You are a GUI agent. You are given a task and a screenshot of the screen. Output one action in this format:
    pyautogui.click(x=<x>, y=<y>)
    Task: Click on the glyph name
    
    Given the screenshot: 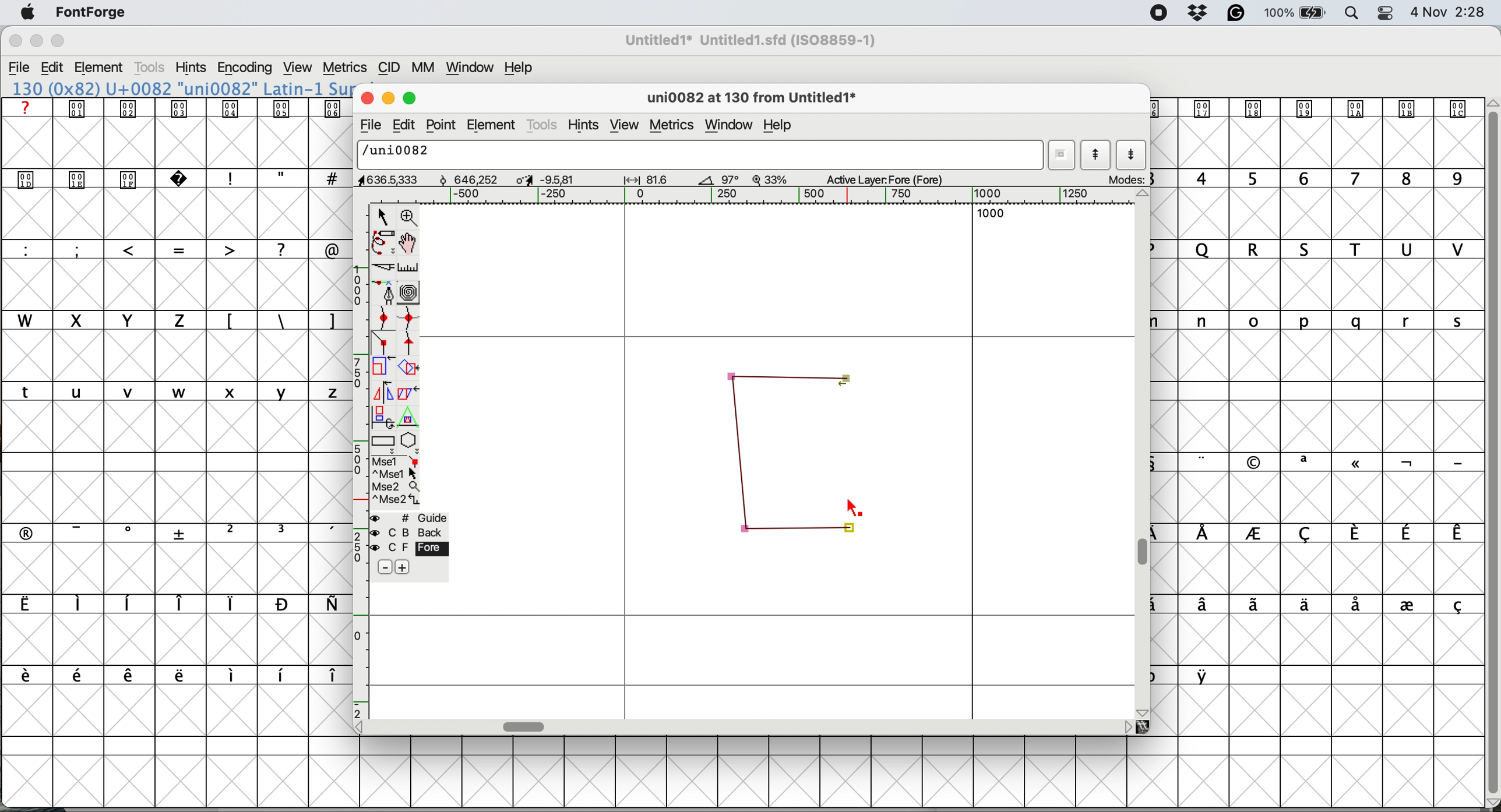 What is the action you would take?
    pyautogui.click(x=697, y=154)
    